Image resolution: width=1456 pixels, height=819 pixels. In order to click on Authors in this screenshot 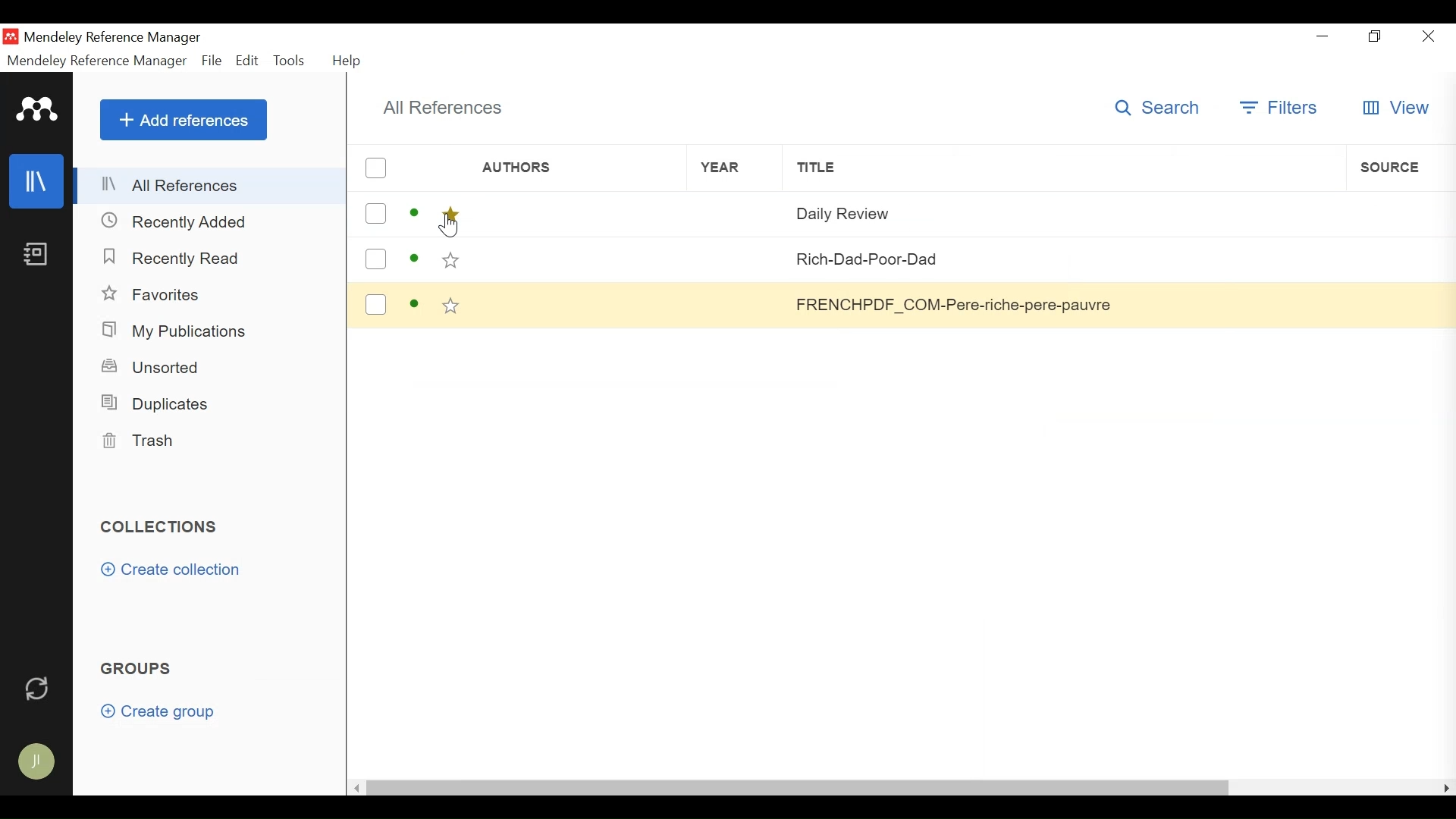, I will do `click(570, 168)`.